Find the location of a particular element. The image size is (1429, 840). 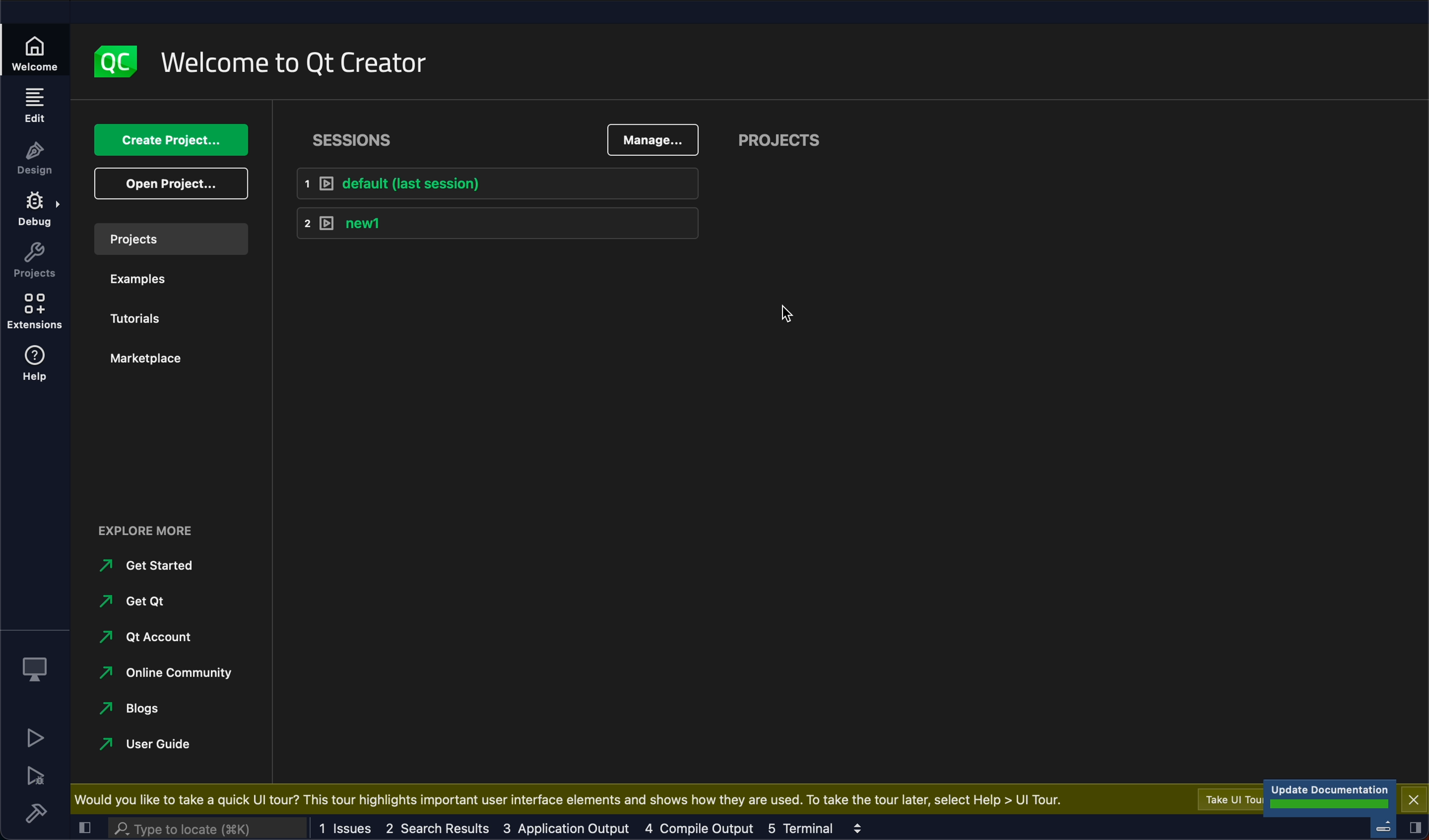

project is located at coordinates (777, 141).